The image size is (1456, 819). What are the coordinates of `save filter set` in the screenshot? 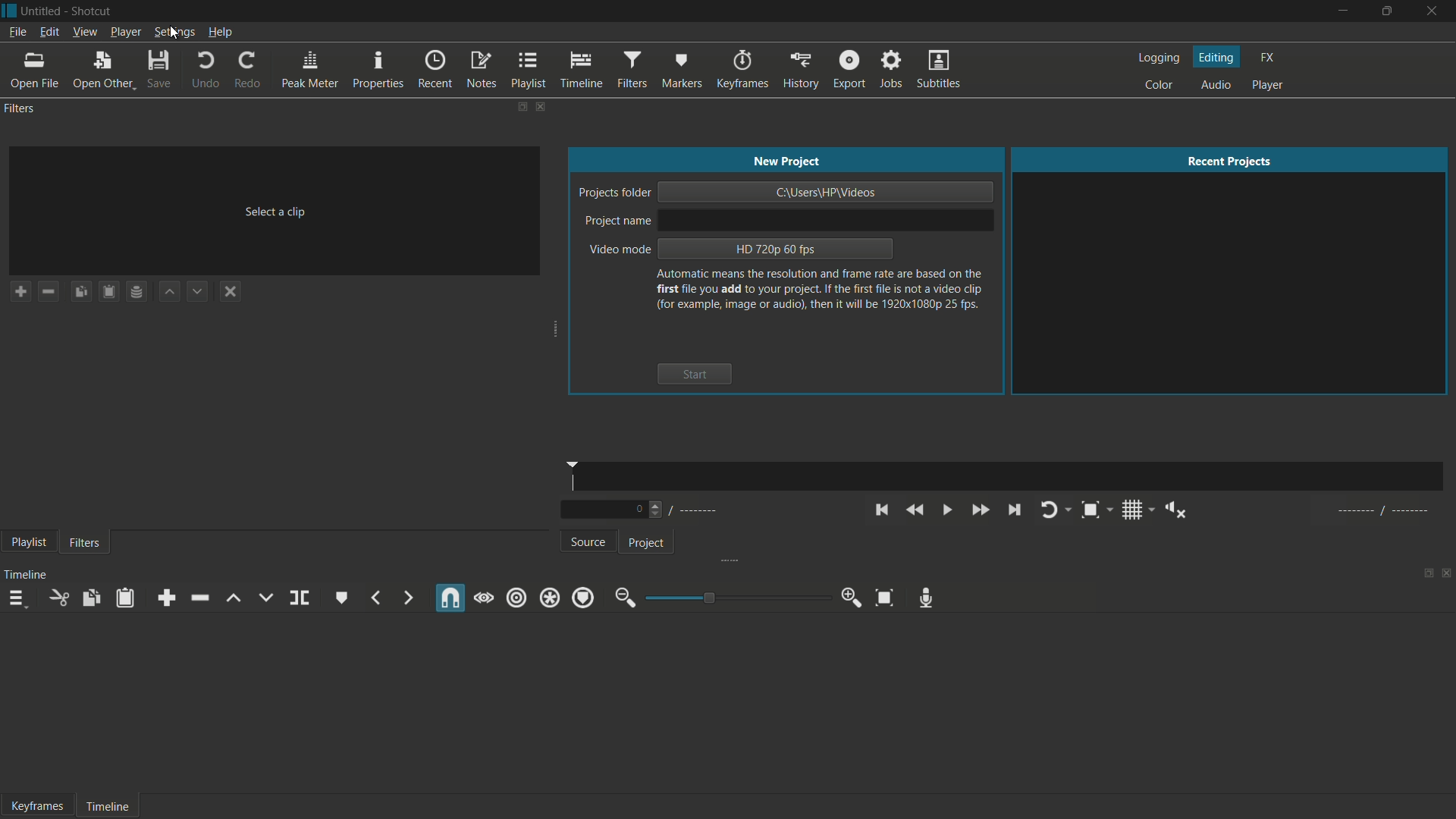 It's located at (136, 292).